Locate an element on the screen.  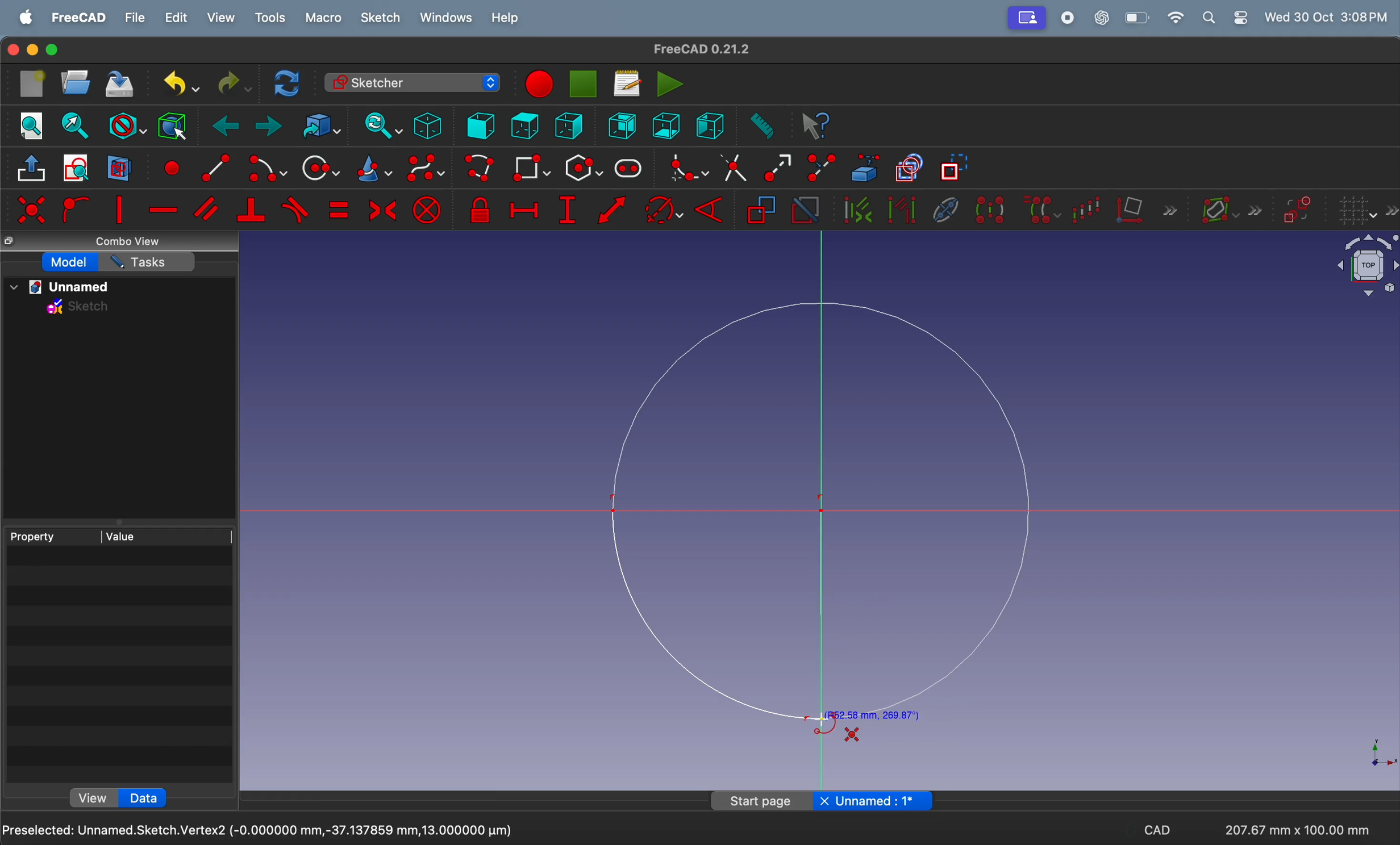
Wed 30 Oct 3:07PM is located at coordinates (1330, 16).